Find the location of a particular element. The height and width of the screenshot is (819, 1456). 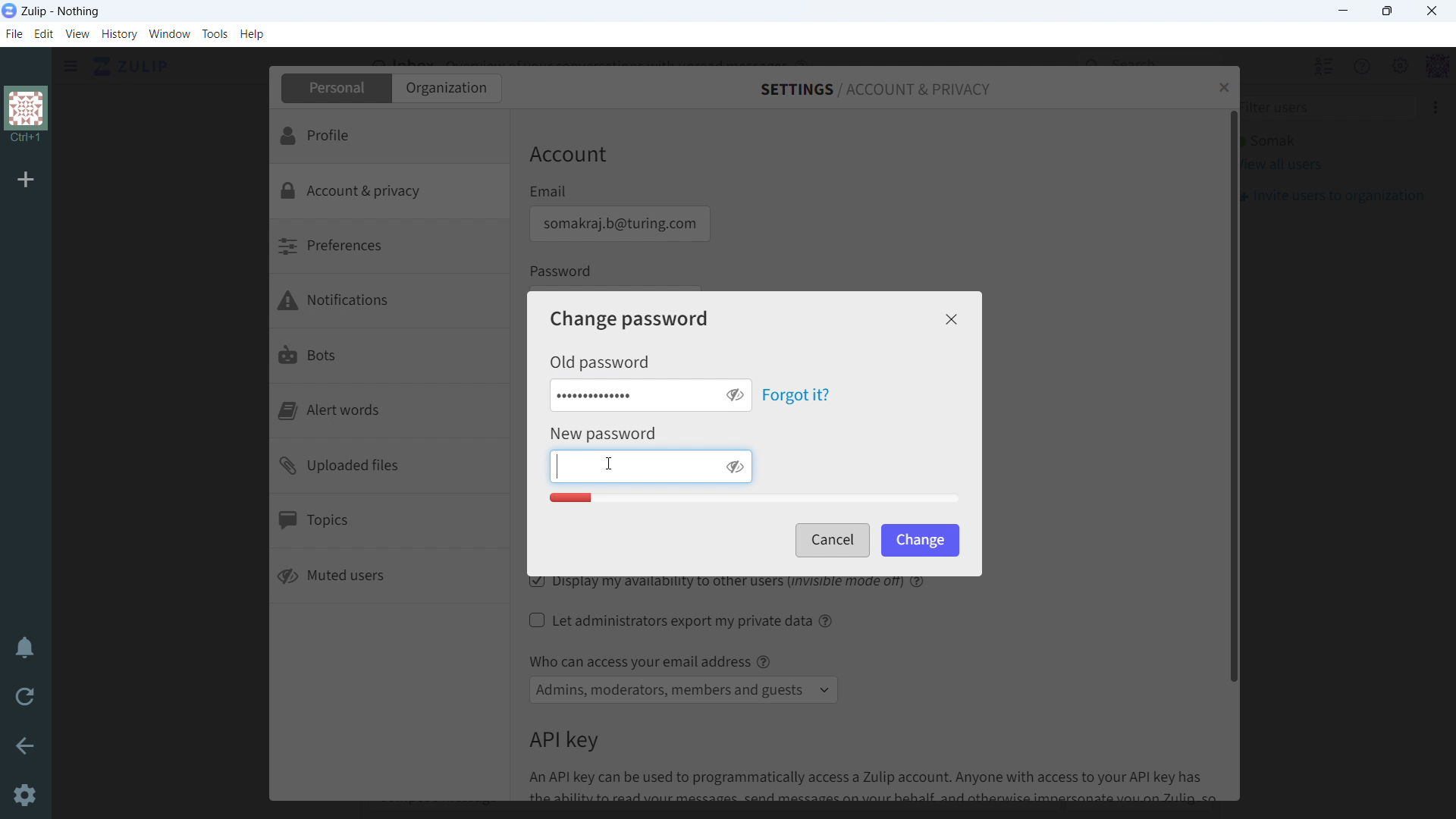

view is located at coordinates (78, 33).